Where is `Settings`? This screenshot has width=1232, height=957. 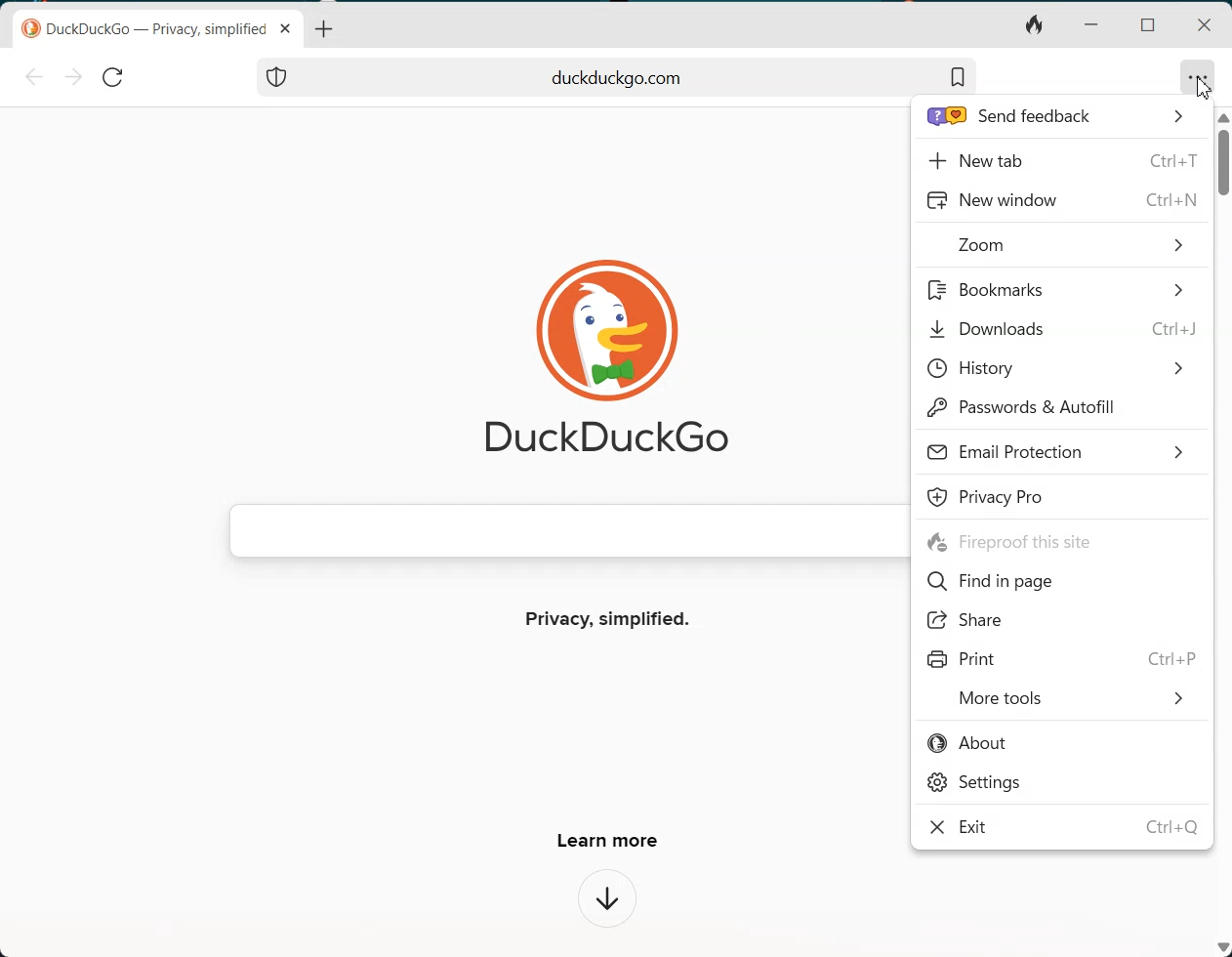
Settings is located at coordinates (1062, 784).